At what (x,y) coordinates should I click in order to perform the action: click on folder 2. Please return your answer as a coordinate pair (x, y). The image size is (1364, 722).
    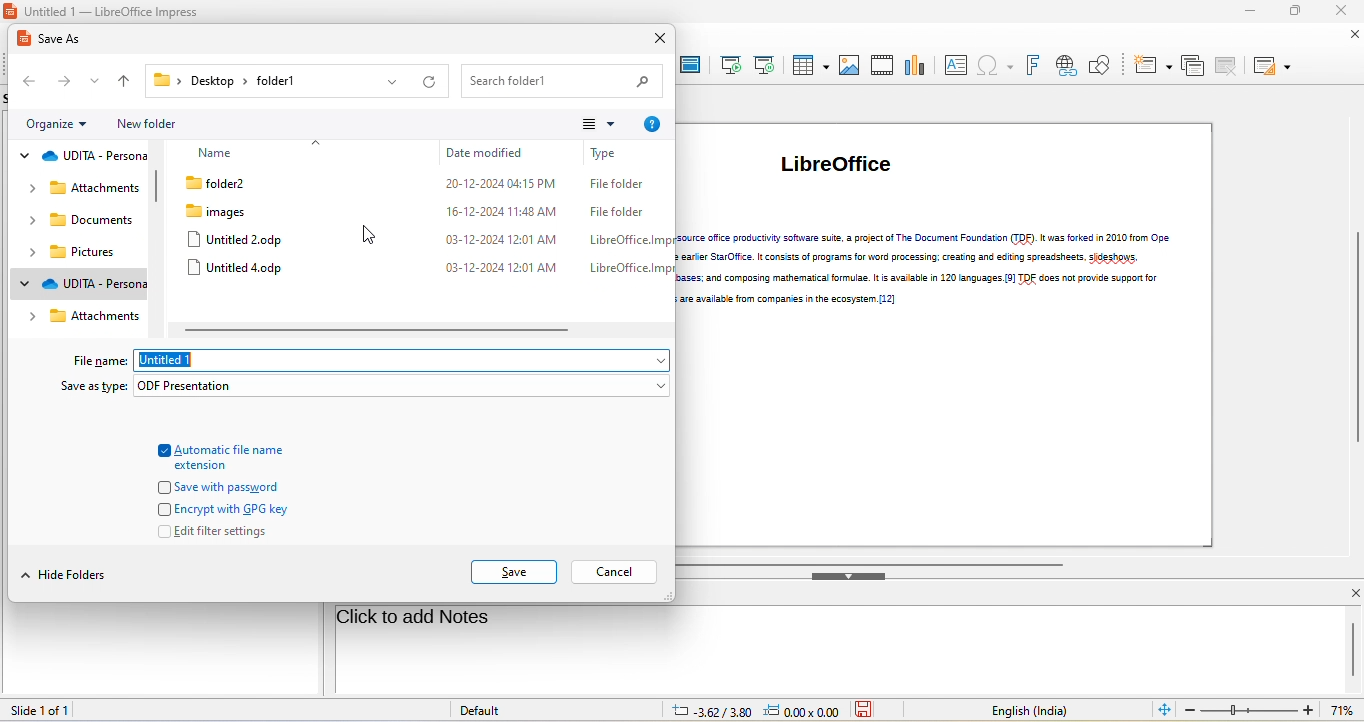
    Looking at the image, I should click on (231, 182).